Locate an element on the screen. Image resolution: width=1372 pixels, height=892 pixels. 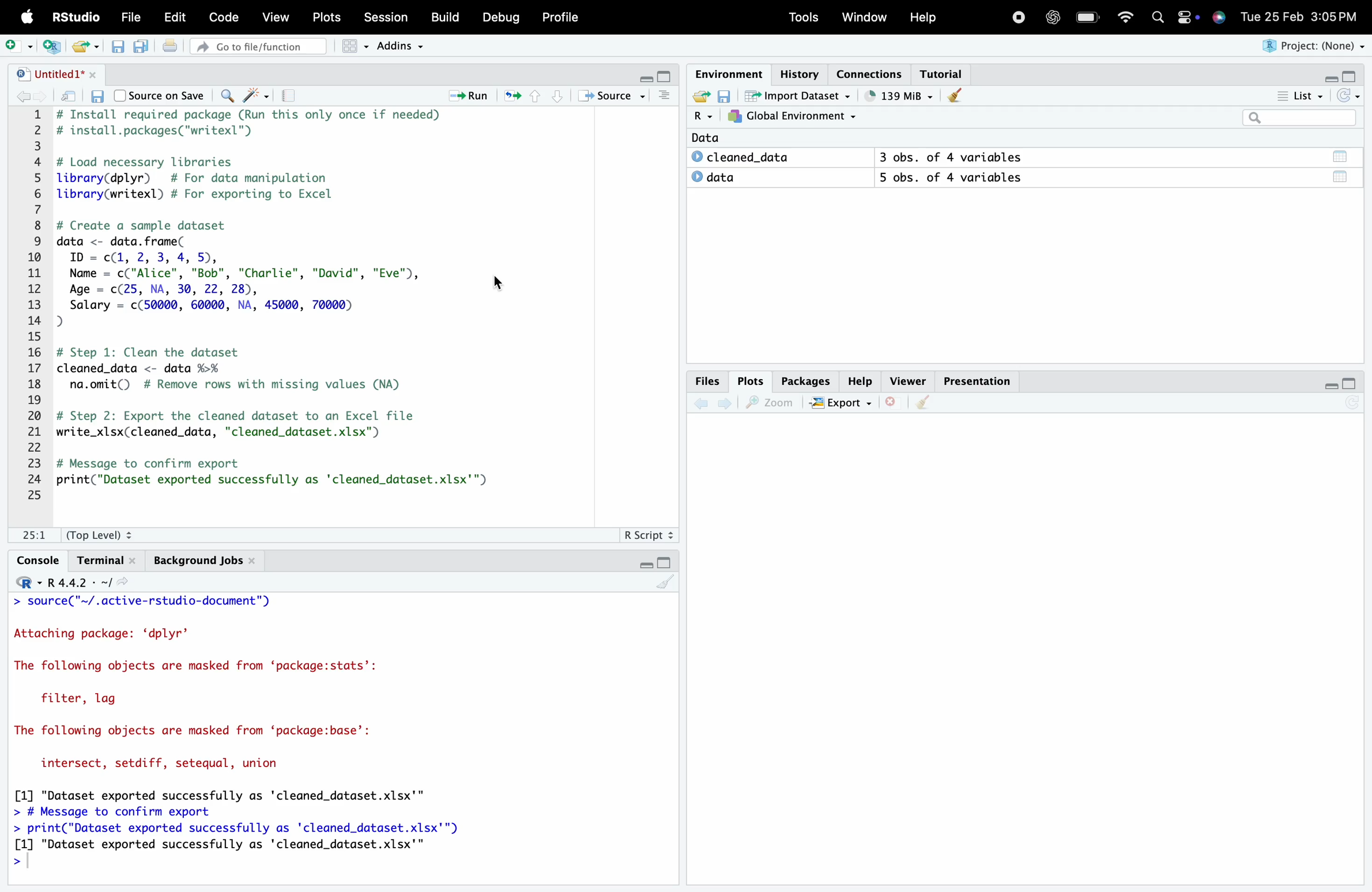
View the current working directory is located at coordinates (125, 581).